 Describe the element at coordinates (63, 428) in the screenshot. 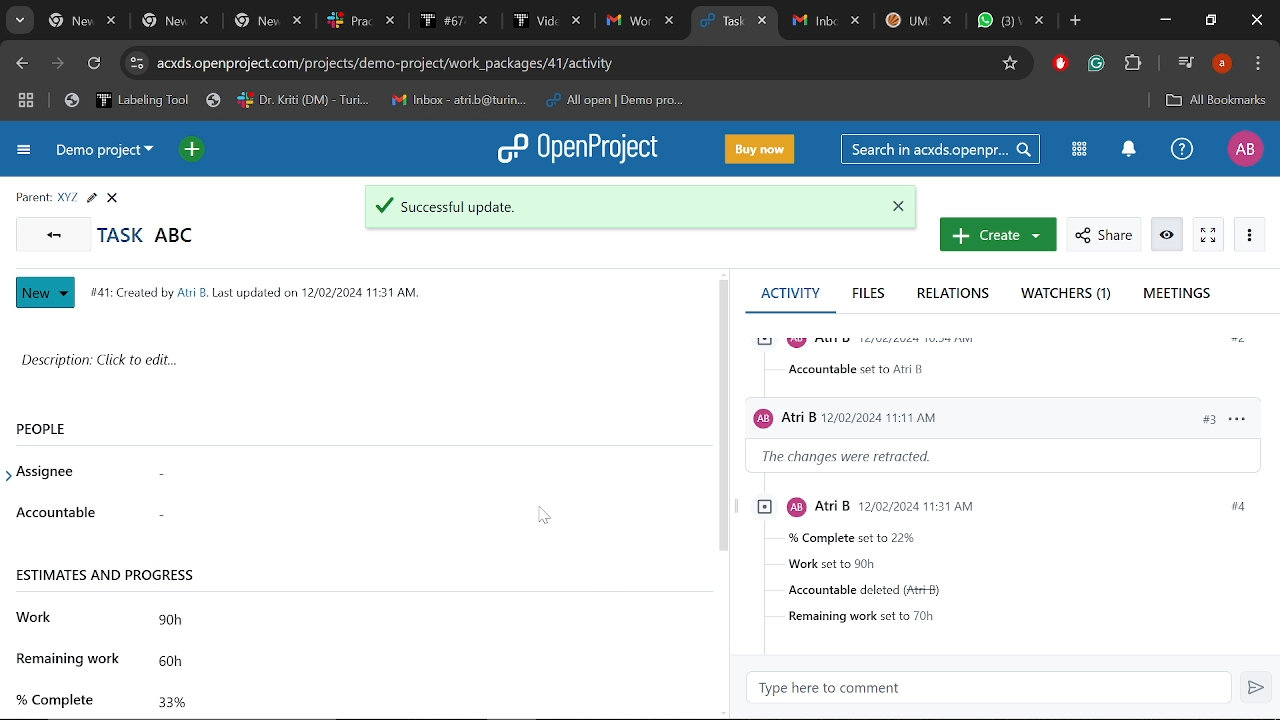

I see `People` at that location.